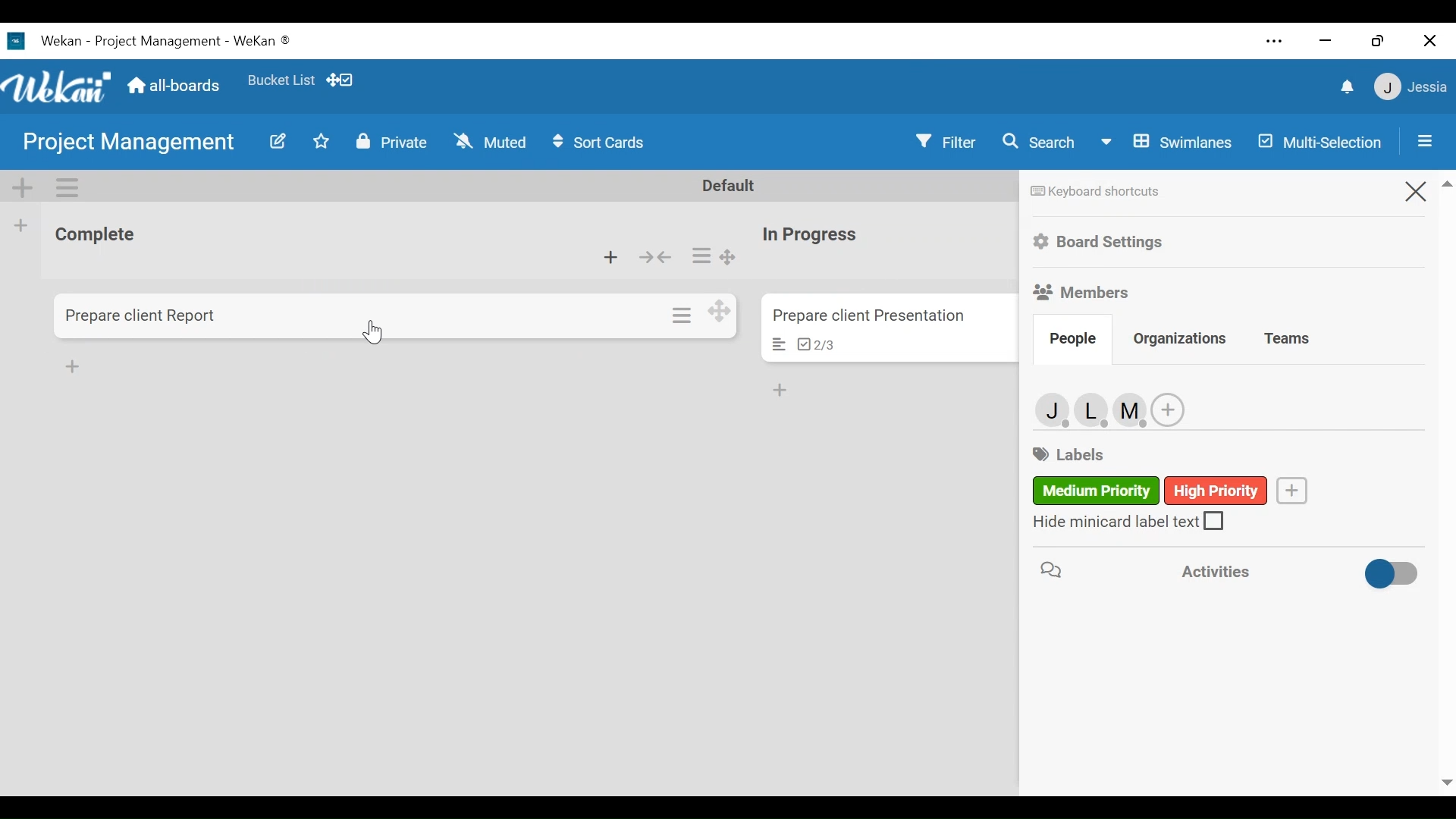  I want to click on Show desktop drag handles, so click(344, 80).